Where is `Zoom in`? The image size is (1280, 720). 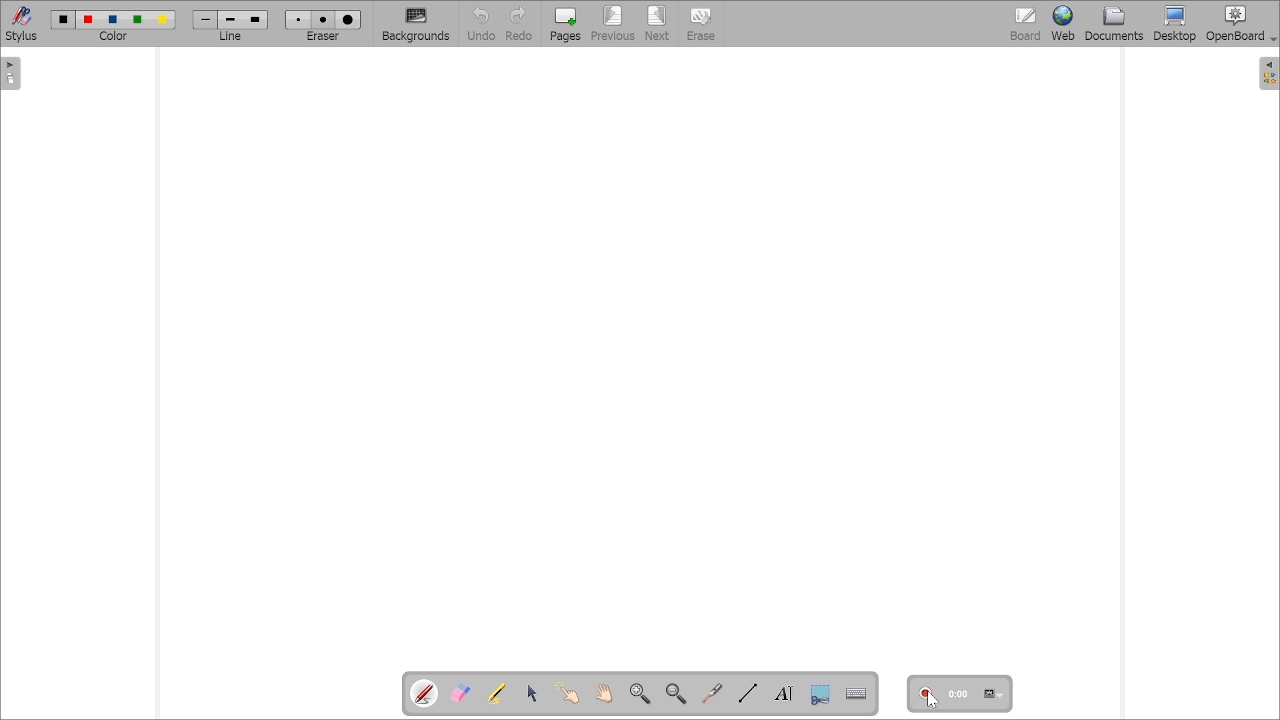 Zoom in is located at coordinates (641, 694).